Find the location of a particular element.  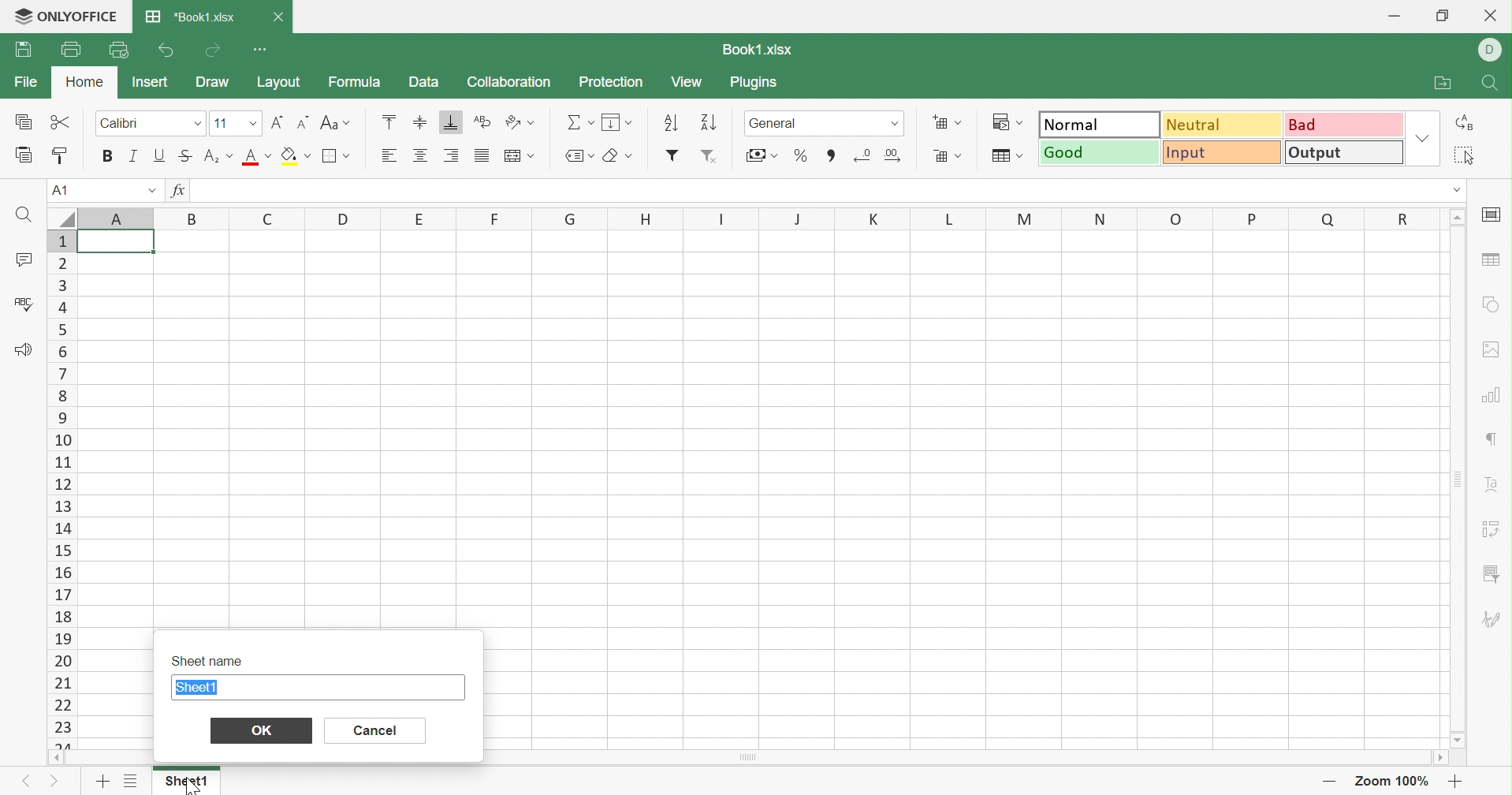

Layout is located at coordinates (277, 83).